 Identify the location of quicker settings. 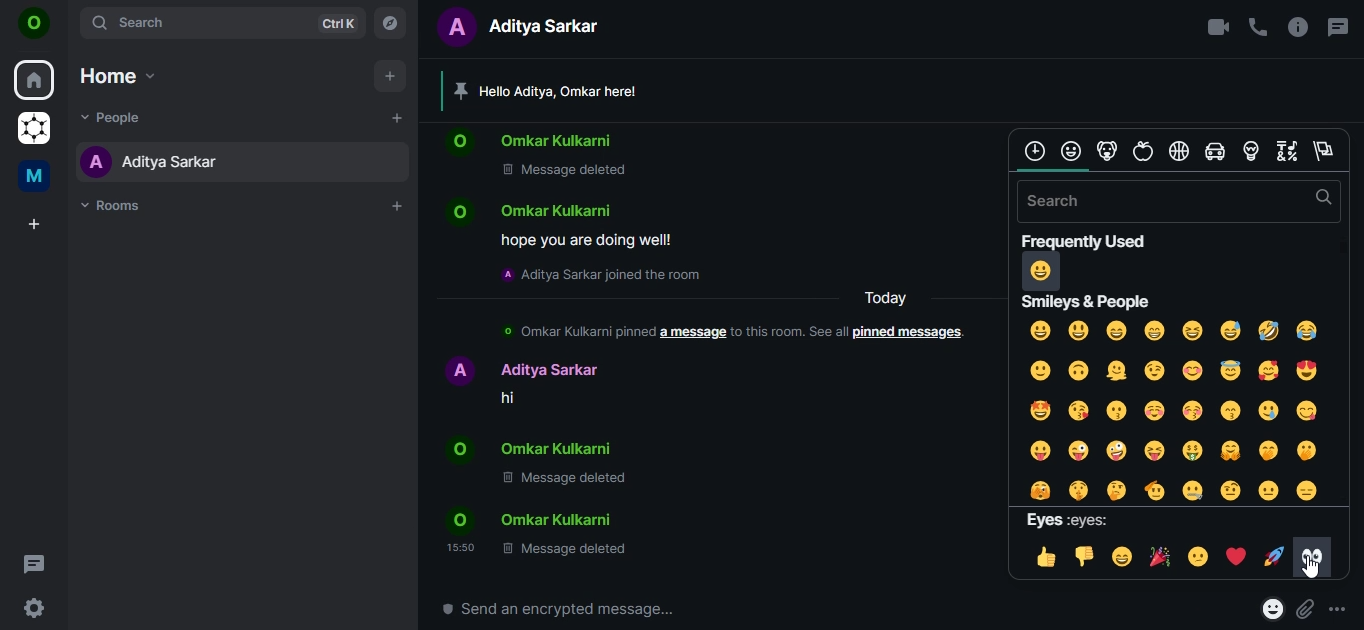
(32, 609).